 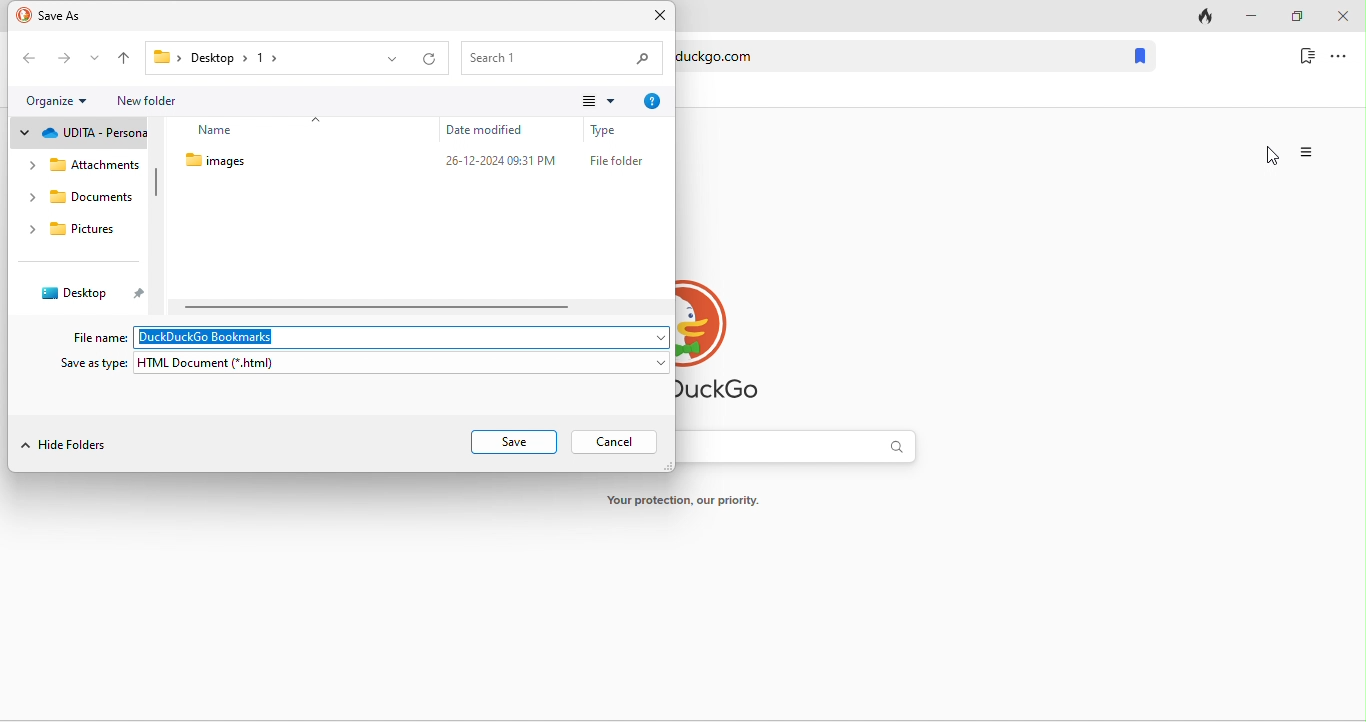 I want to click on search bar, so click(x=807, y=452).